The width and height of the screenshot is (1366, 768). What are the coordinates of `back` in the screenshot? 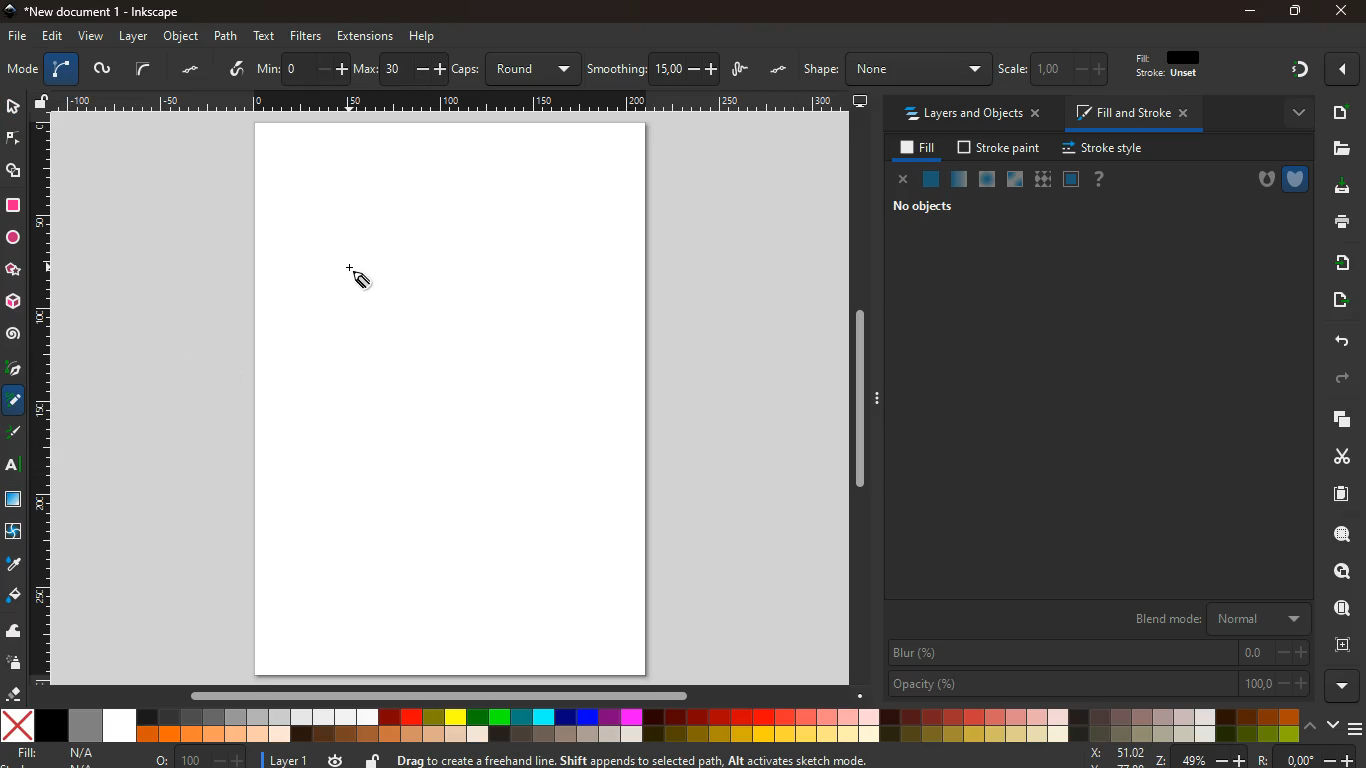 It's located at (1336, 340).